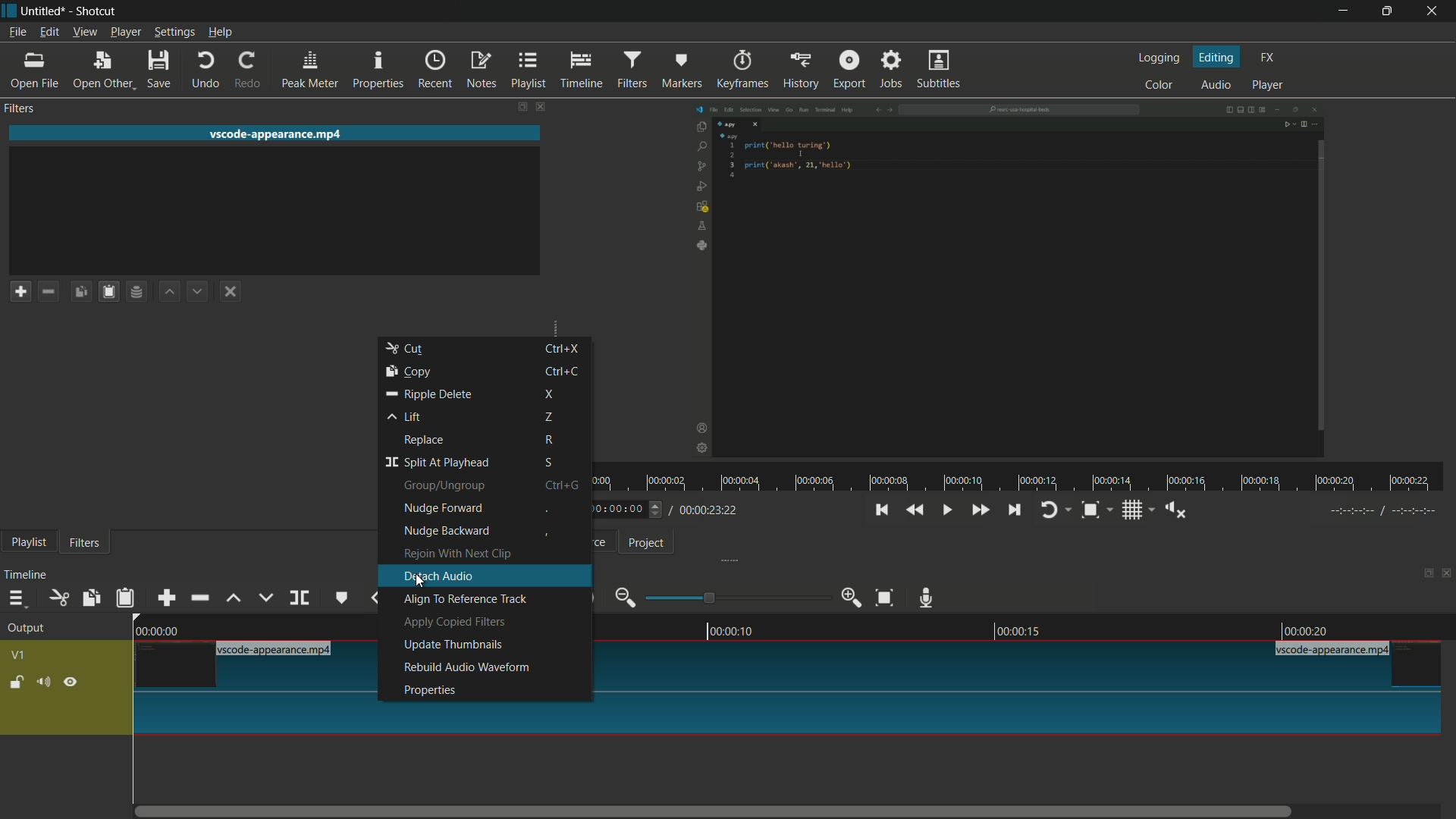 This screenshot has width=1456, height=819. What do you see at coordinates (1158, 83) in the screenshot?
I see `color` at bounding box center [1158, 83].